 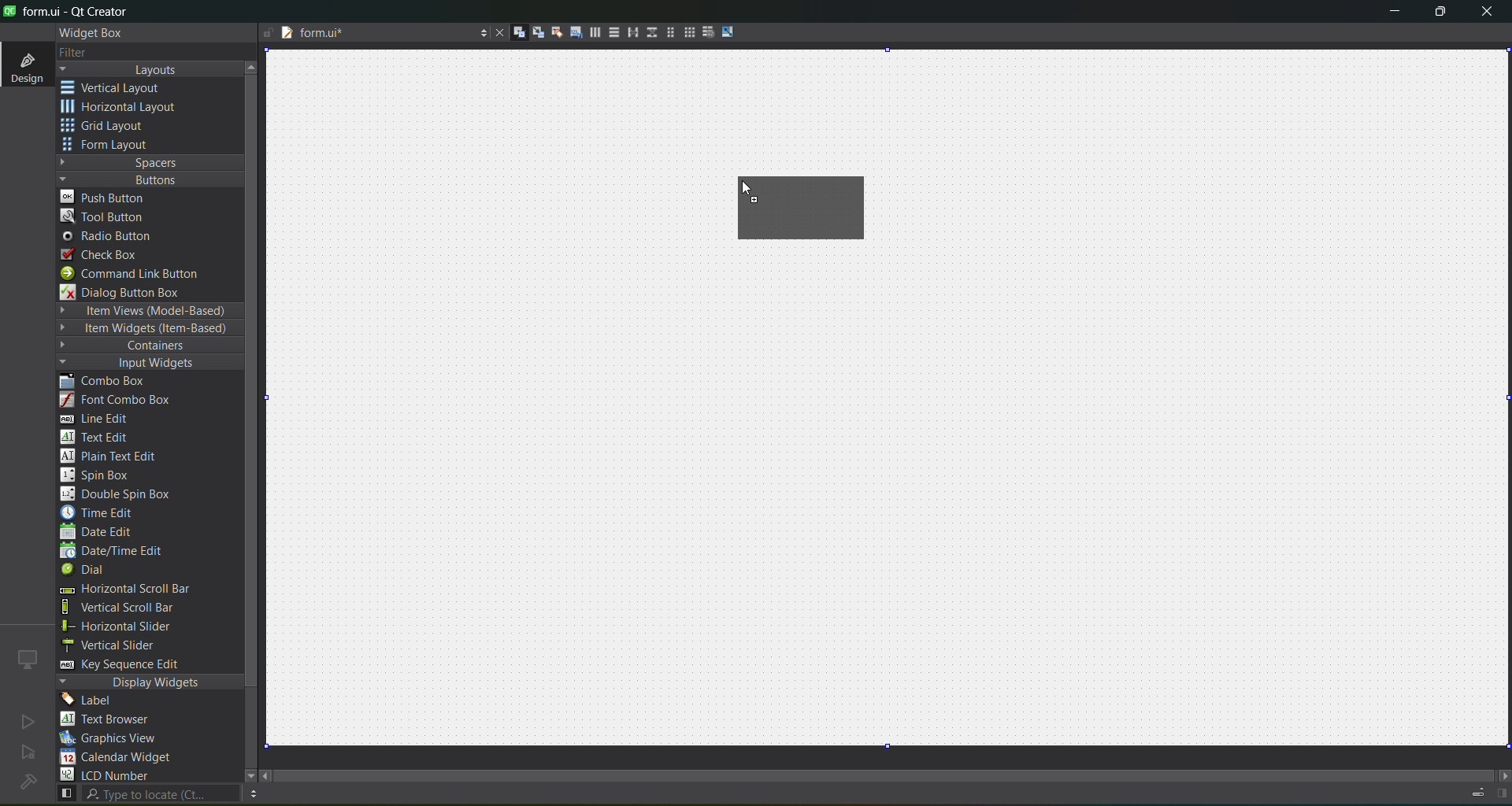 I want to click on layout in a form, so click(x=665, y=32).